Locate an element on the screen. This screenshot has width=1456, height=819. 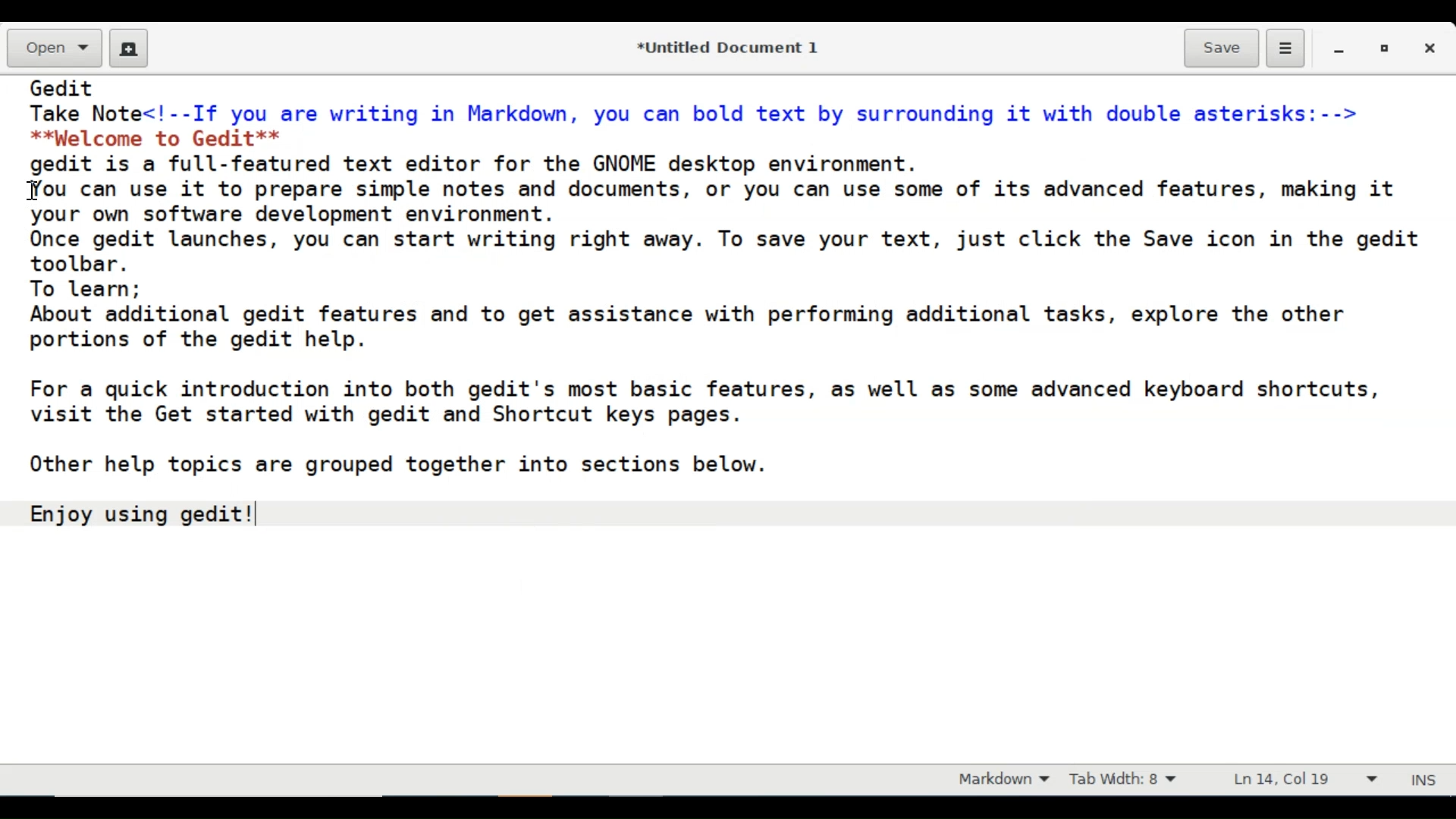
Save is located at coordinates (1222, 47).